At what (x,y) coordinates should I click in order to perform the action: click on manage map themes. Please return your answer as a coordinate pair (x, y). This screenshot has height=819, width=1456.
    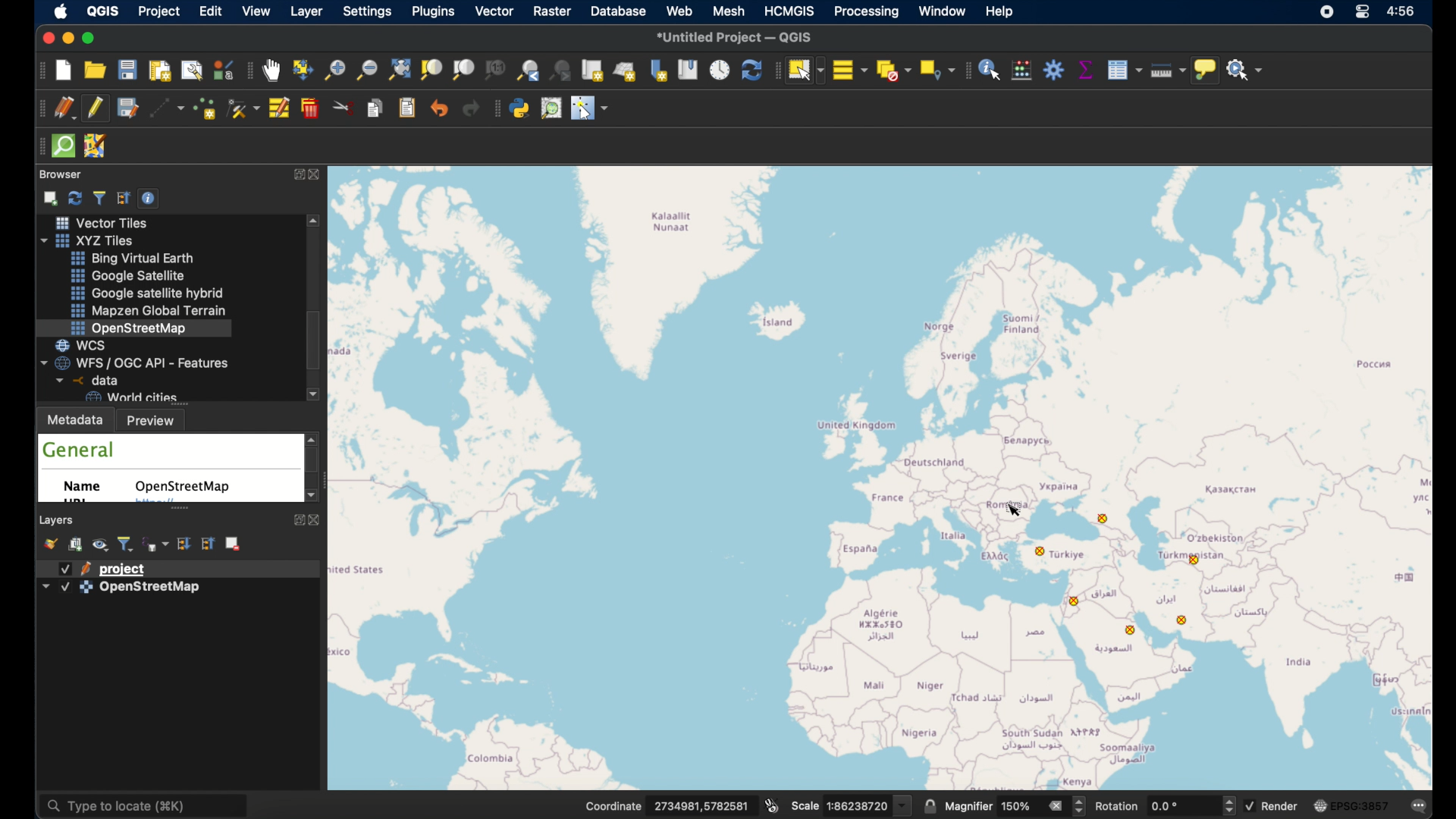
    Looking at the image, I should click on (102, 546).